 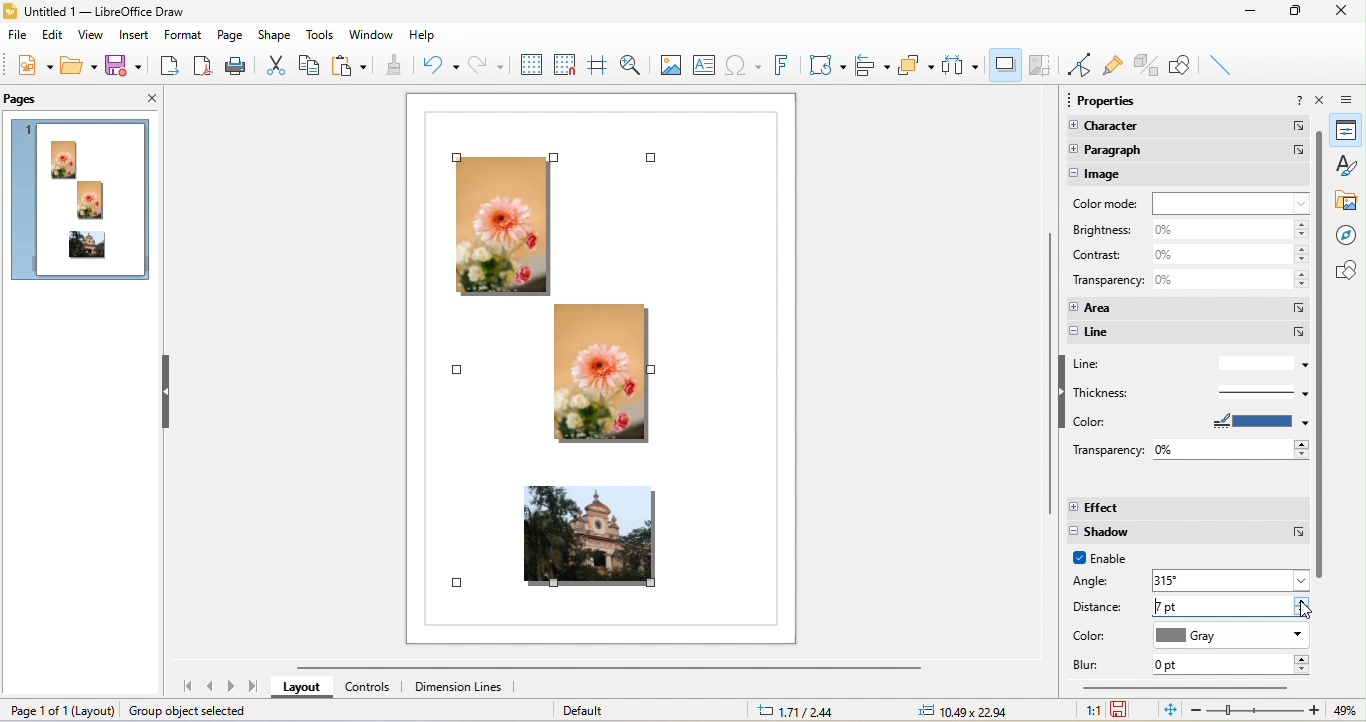 I want to click on brightness 0%, so click(x=1189, y=229).